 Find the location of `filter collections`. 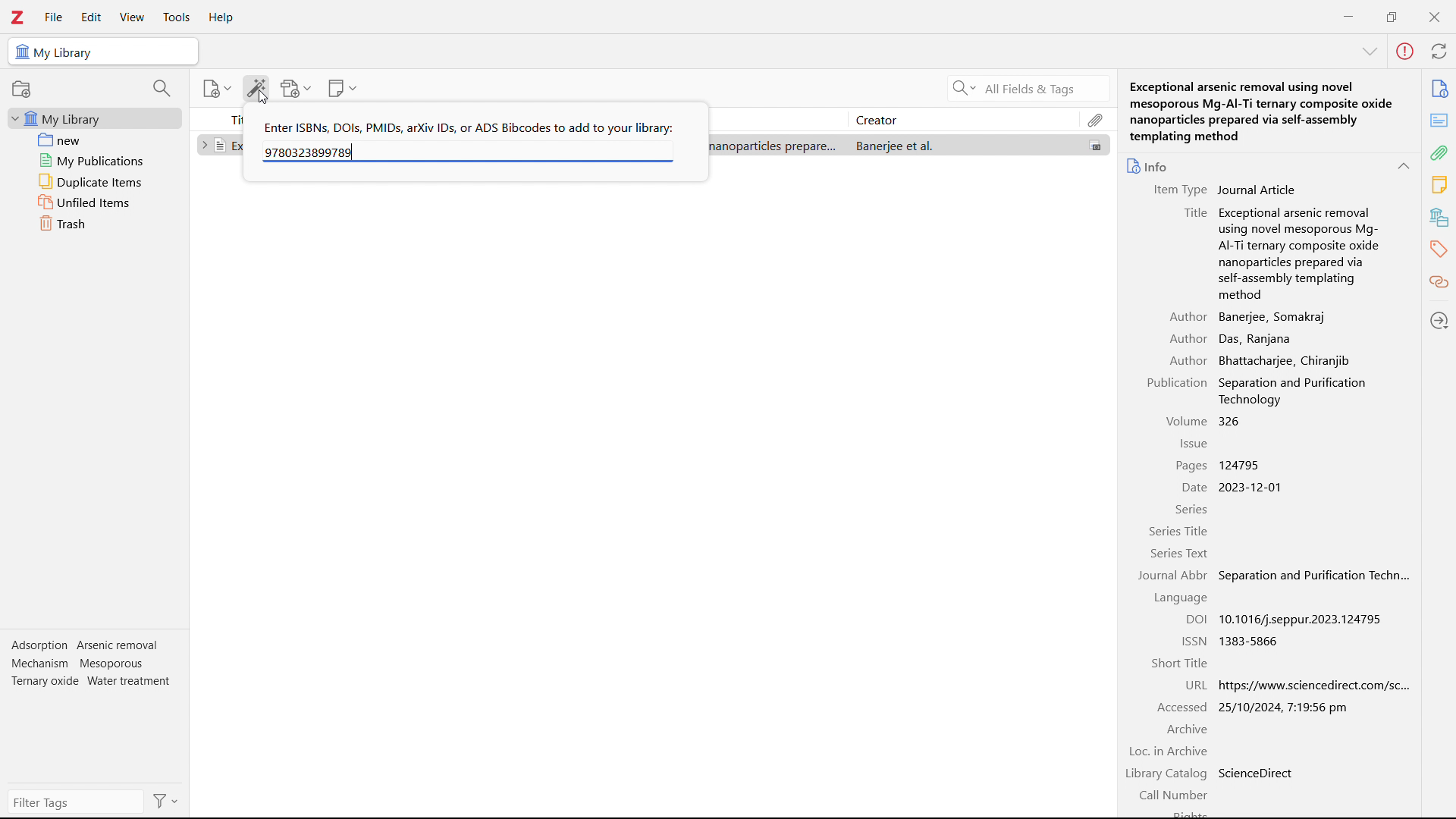

filter collections is located at coordinates (163, 88).